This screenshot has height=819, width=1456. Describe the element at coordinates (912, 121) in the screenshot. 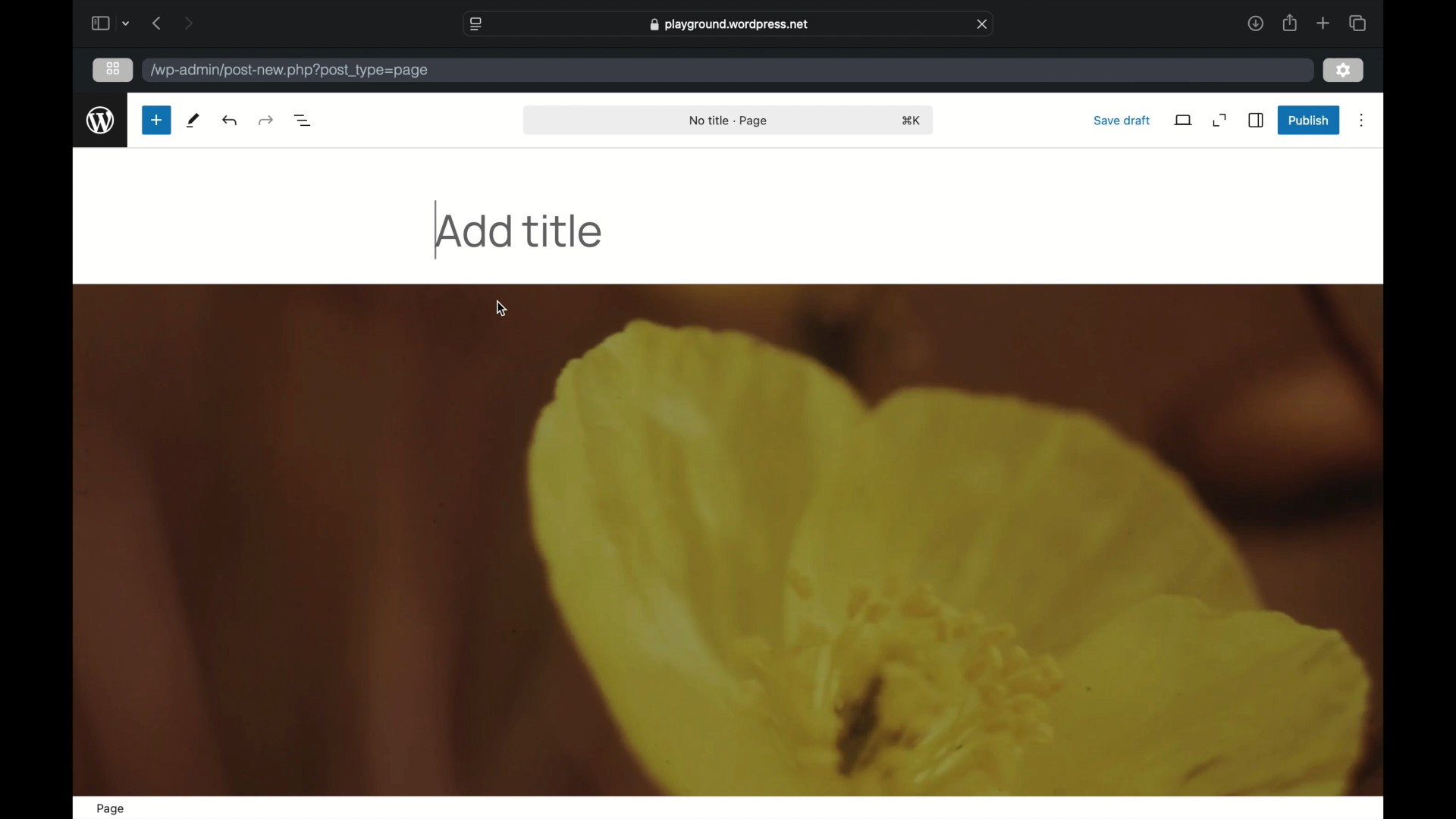

I see `shortcut` at that location.